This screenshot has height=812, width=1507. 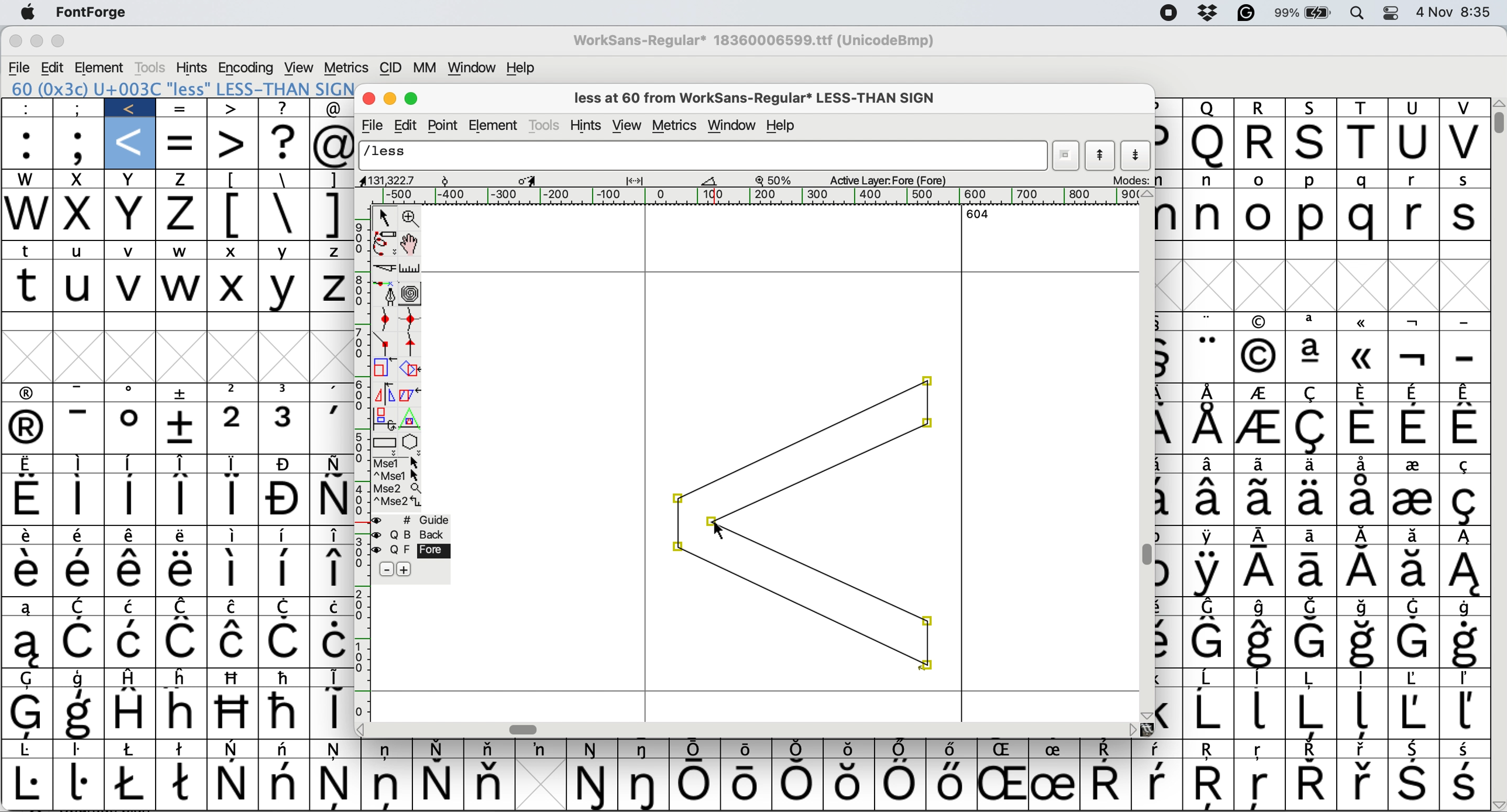 I want to click on Symbol, so click(x=1169, y=643).